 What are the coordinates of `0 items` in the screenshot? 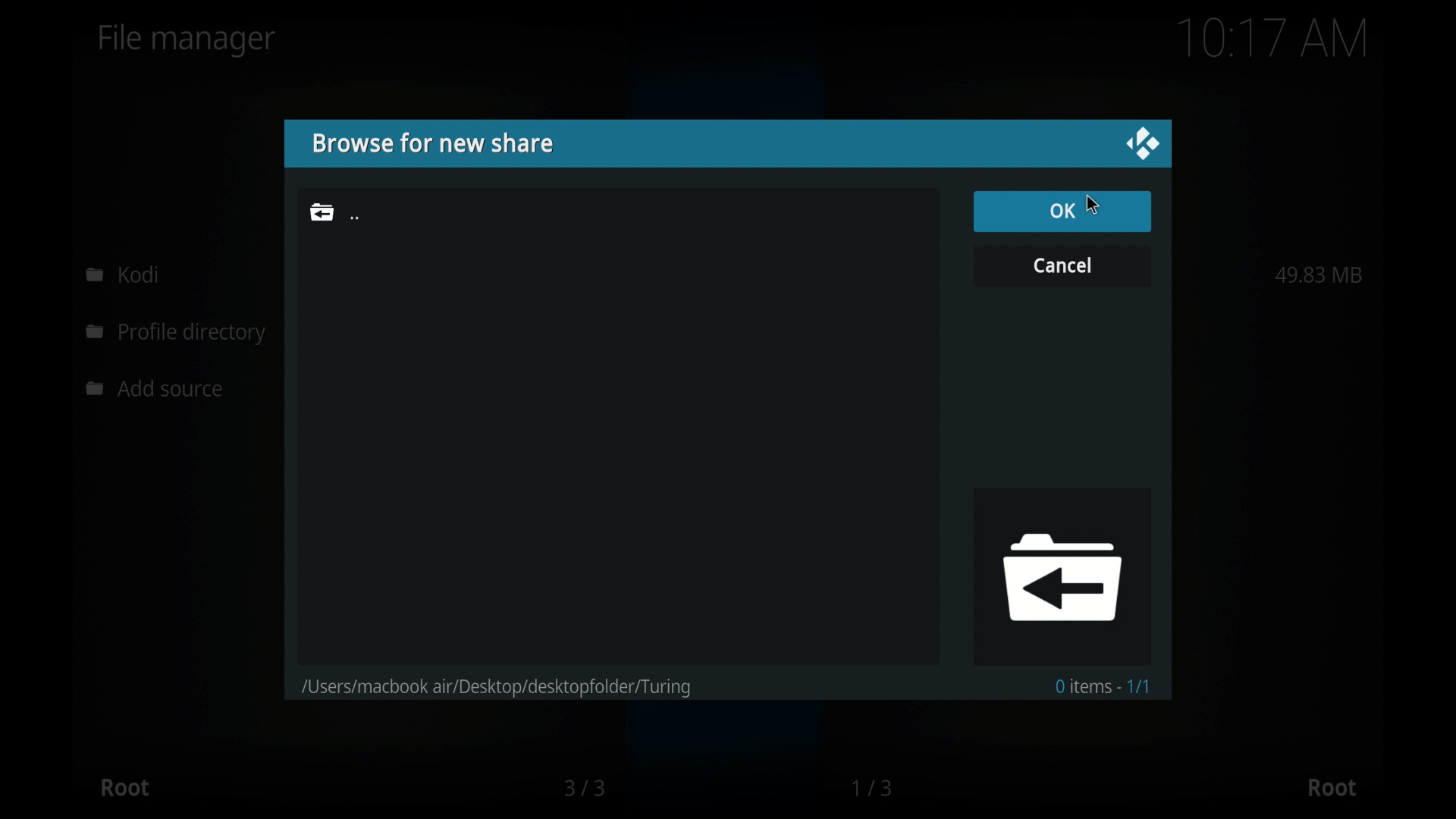 It's located at (1105, 686).